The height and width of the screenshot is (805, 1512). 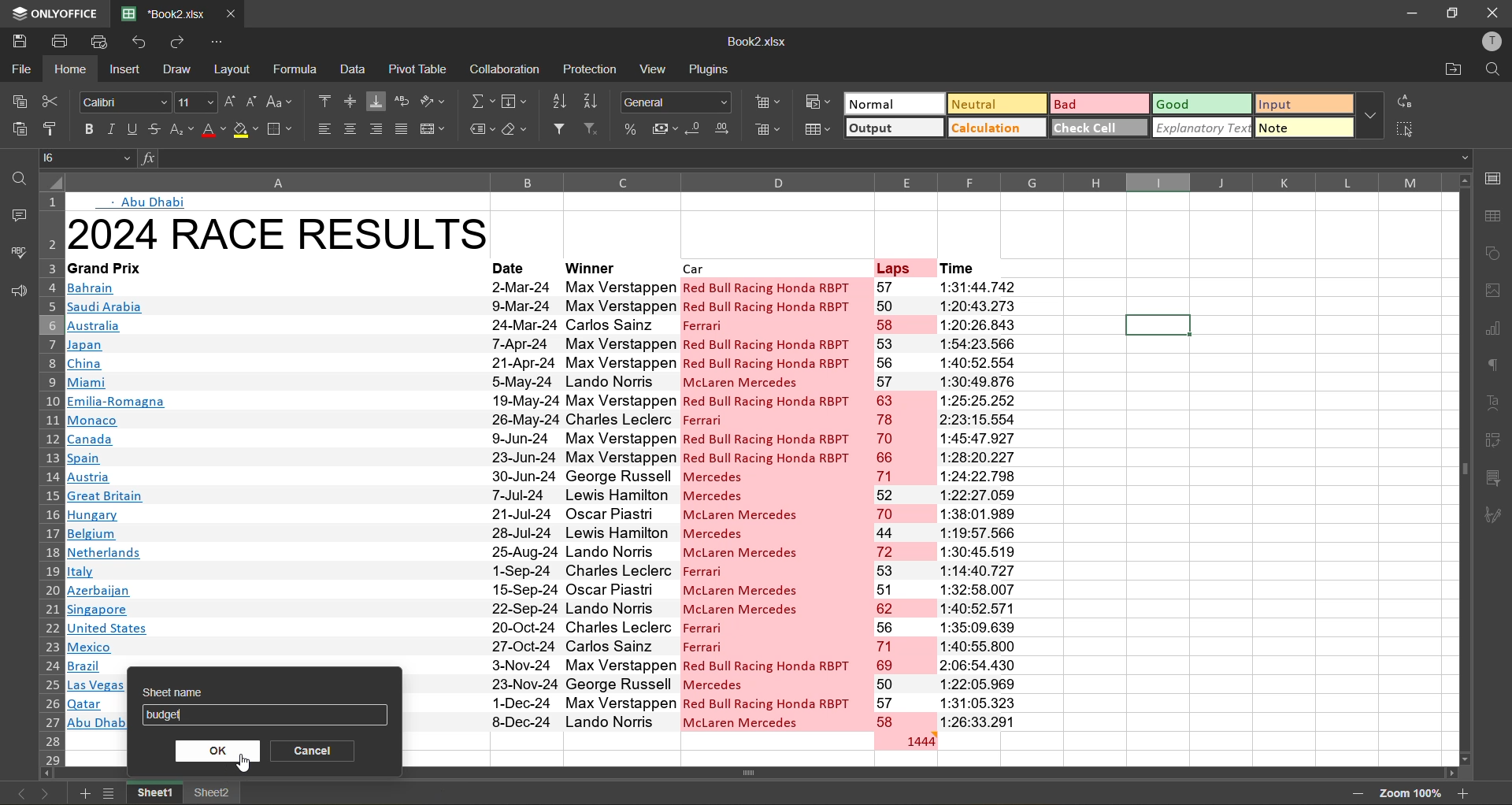 I want to click on spellcheck, so click(x=17, y=254).